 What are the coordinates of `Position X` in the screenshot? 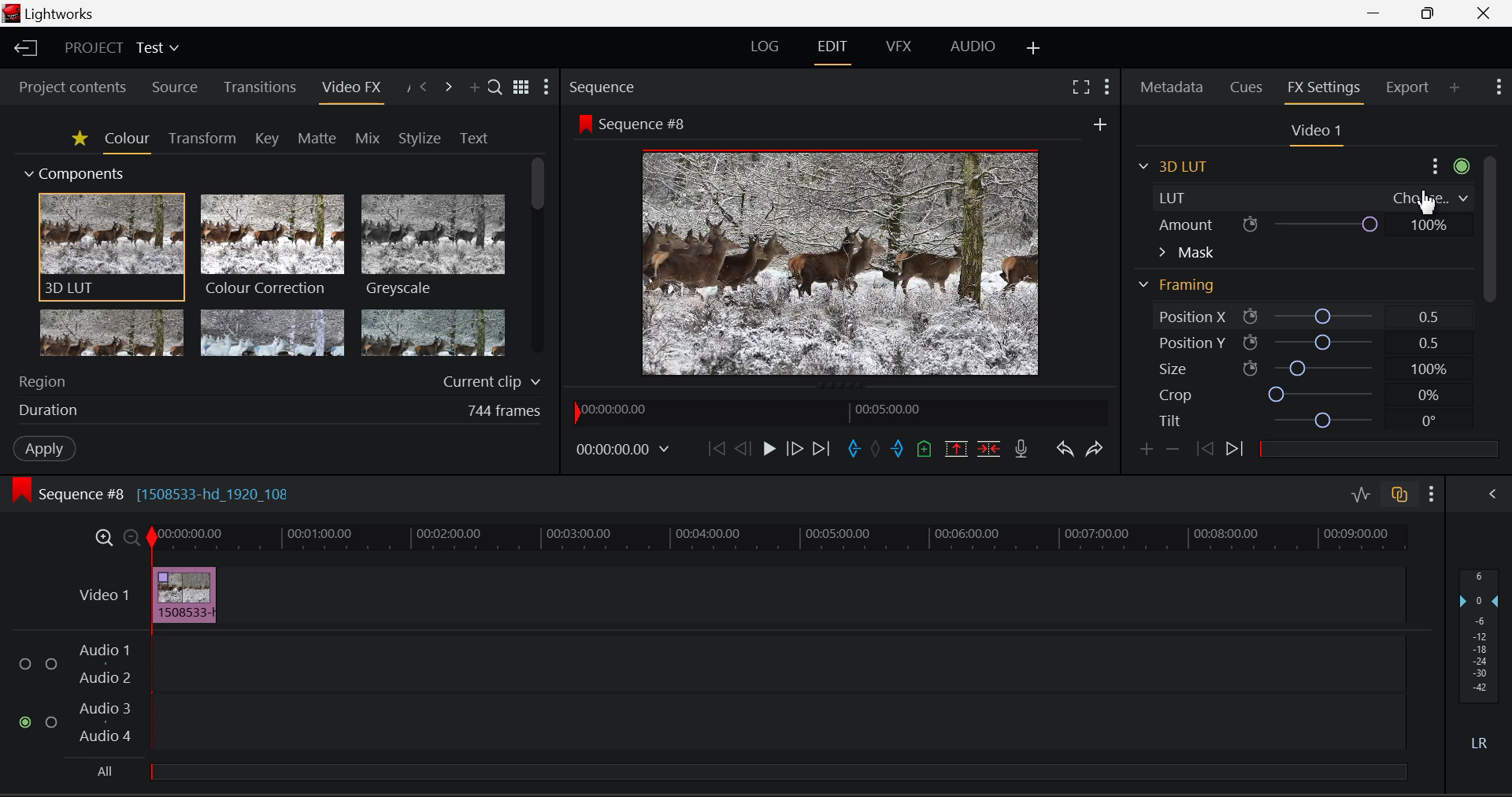 It's located at (1303, 315).